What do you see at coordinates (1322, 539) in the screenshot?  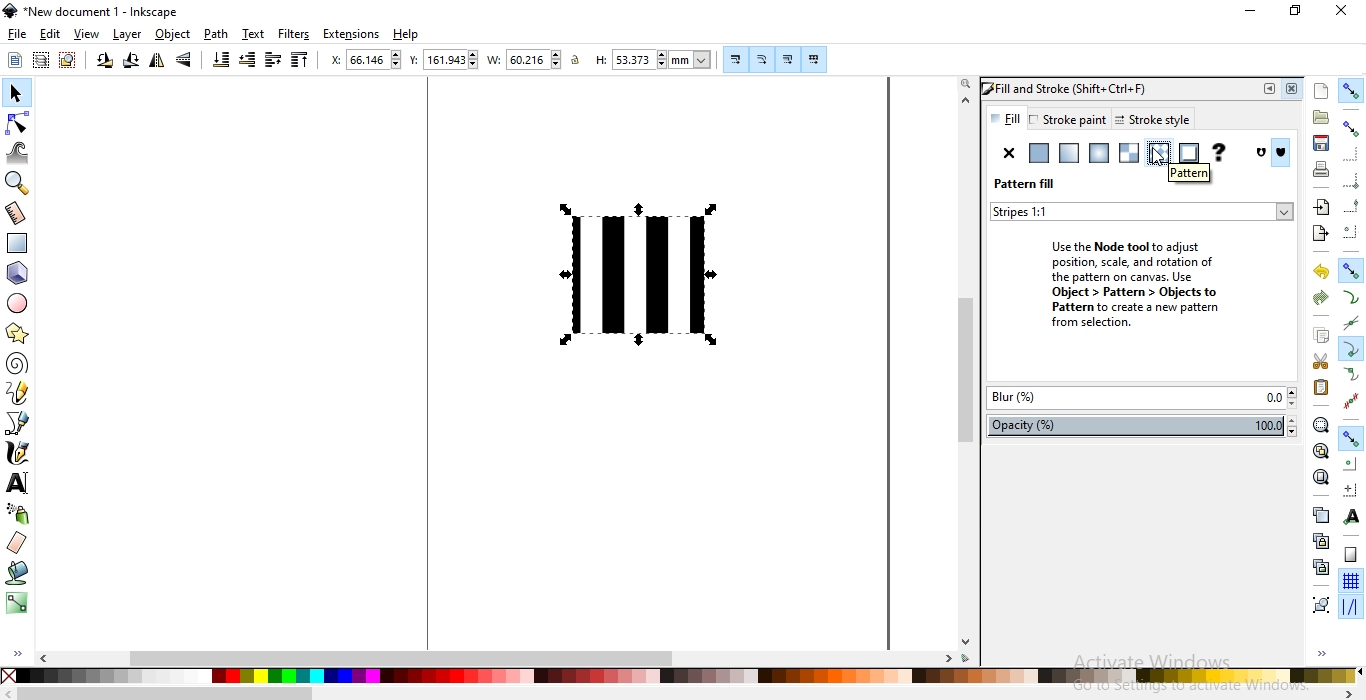 I see `create a clone` at bounding box center [1322, 539].